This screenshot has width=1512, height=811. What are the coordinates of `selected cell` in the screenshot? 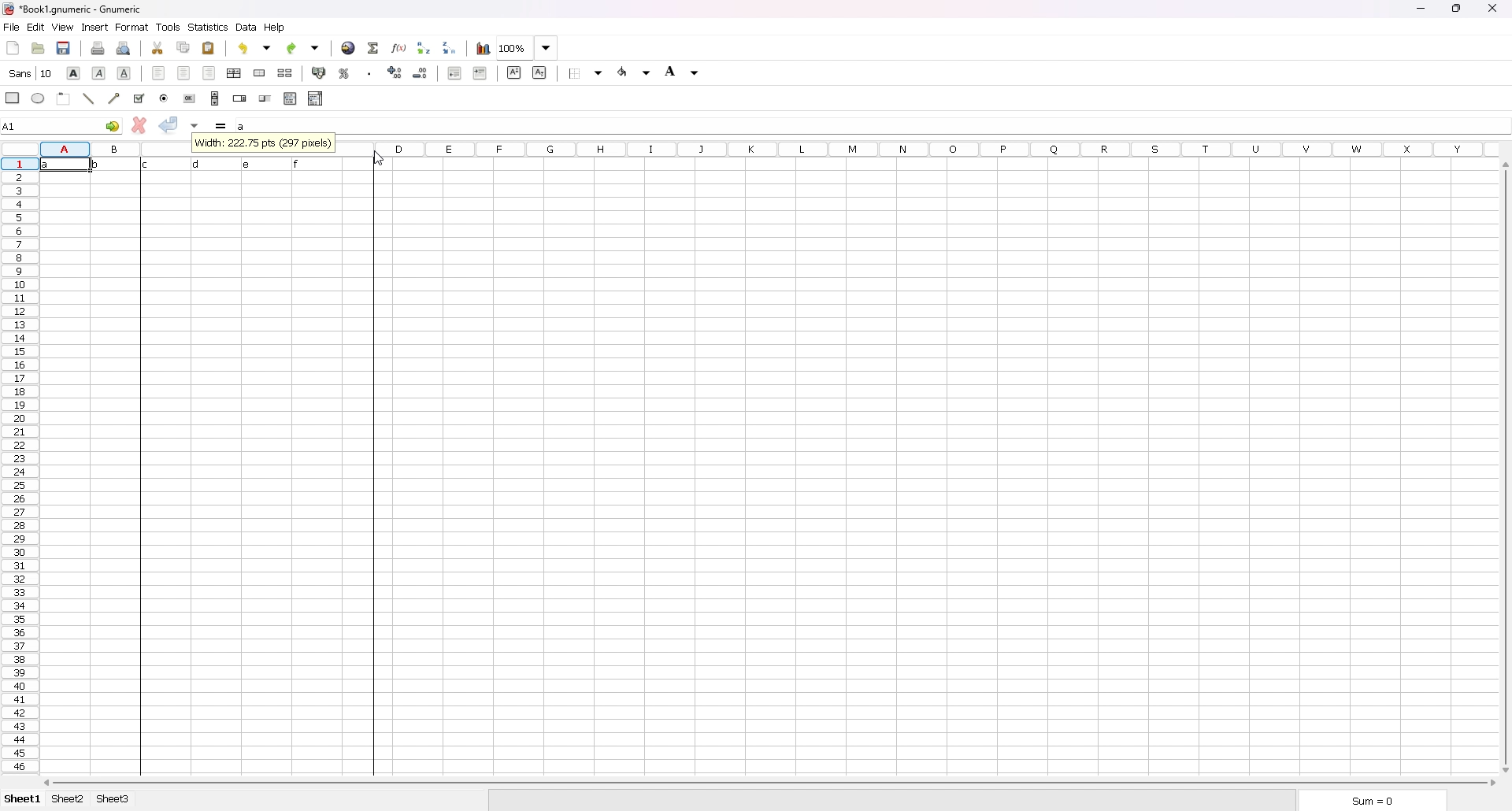 It's located at (62, 124).